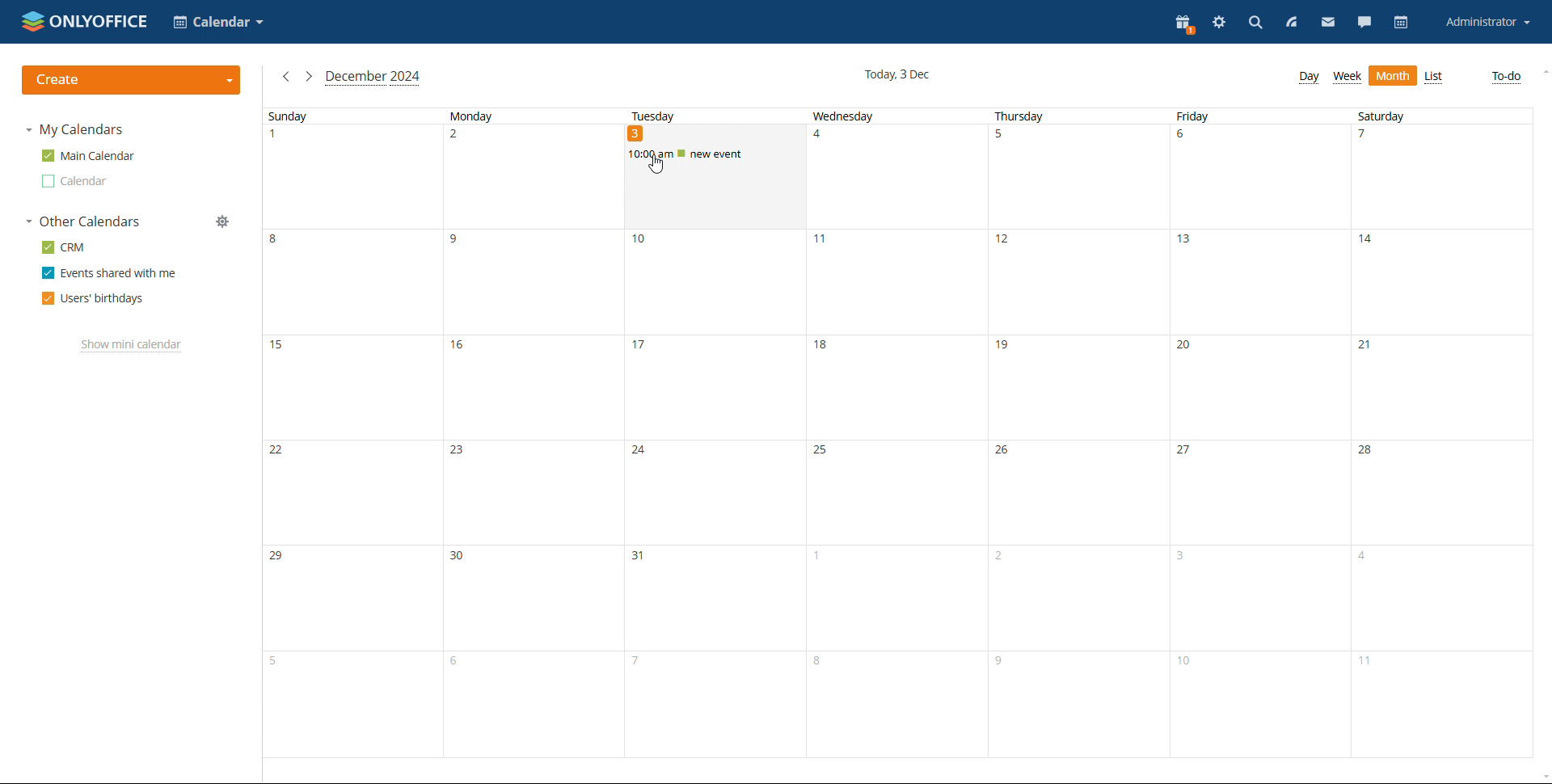 The image size is (1552, 784). What do you see at coordinates (1259, 493) in the screenshot?
I see `27` at bounding box center [1259, 493].